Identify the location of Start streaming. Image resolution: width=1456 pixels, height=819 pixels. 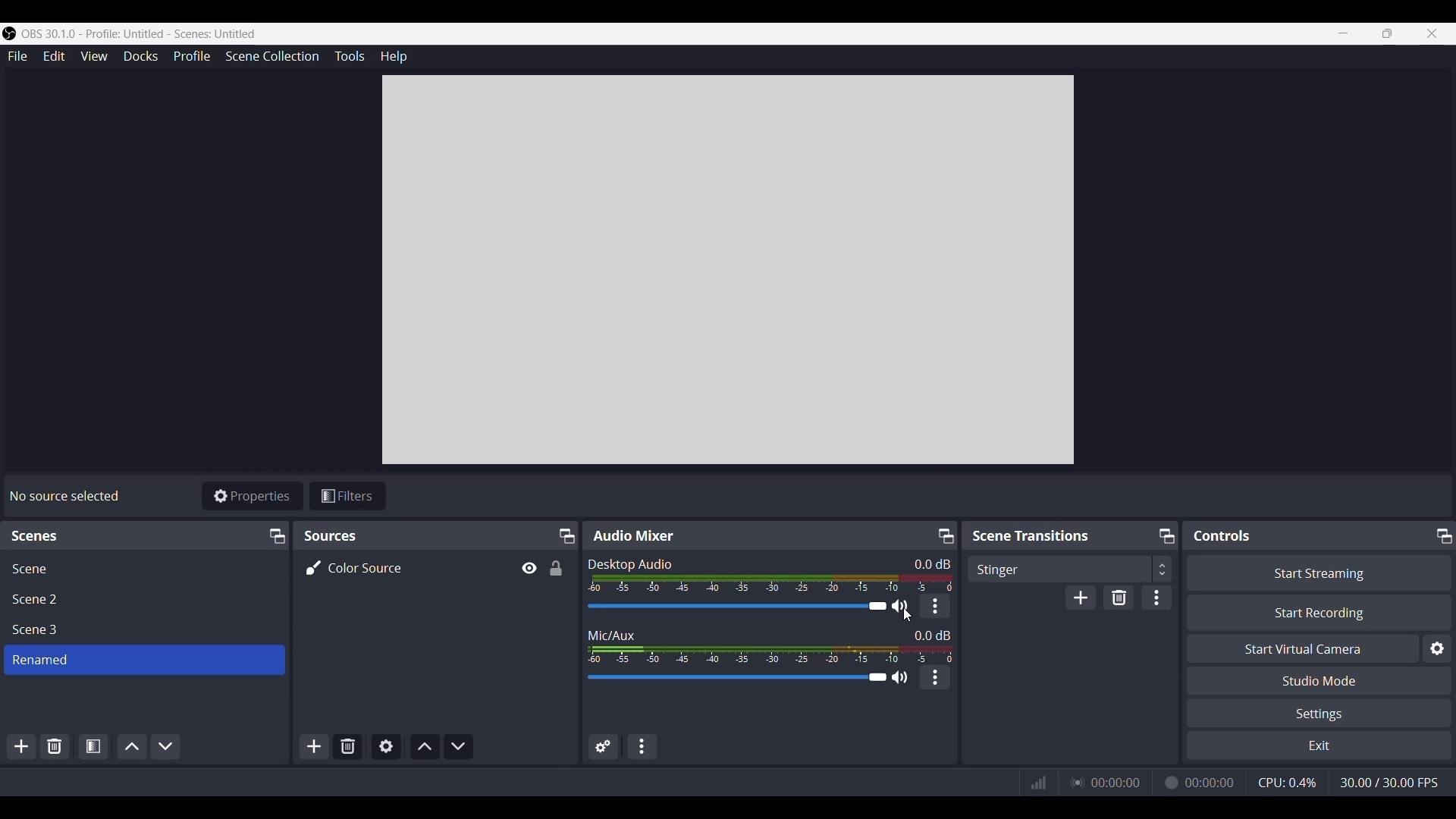
(1319, 573).